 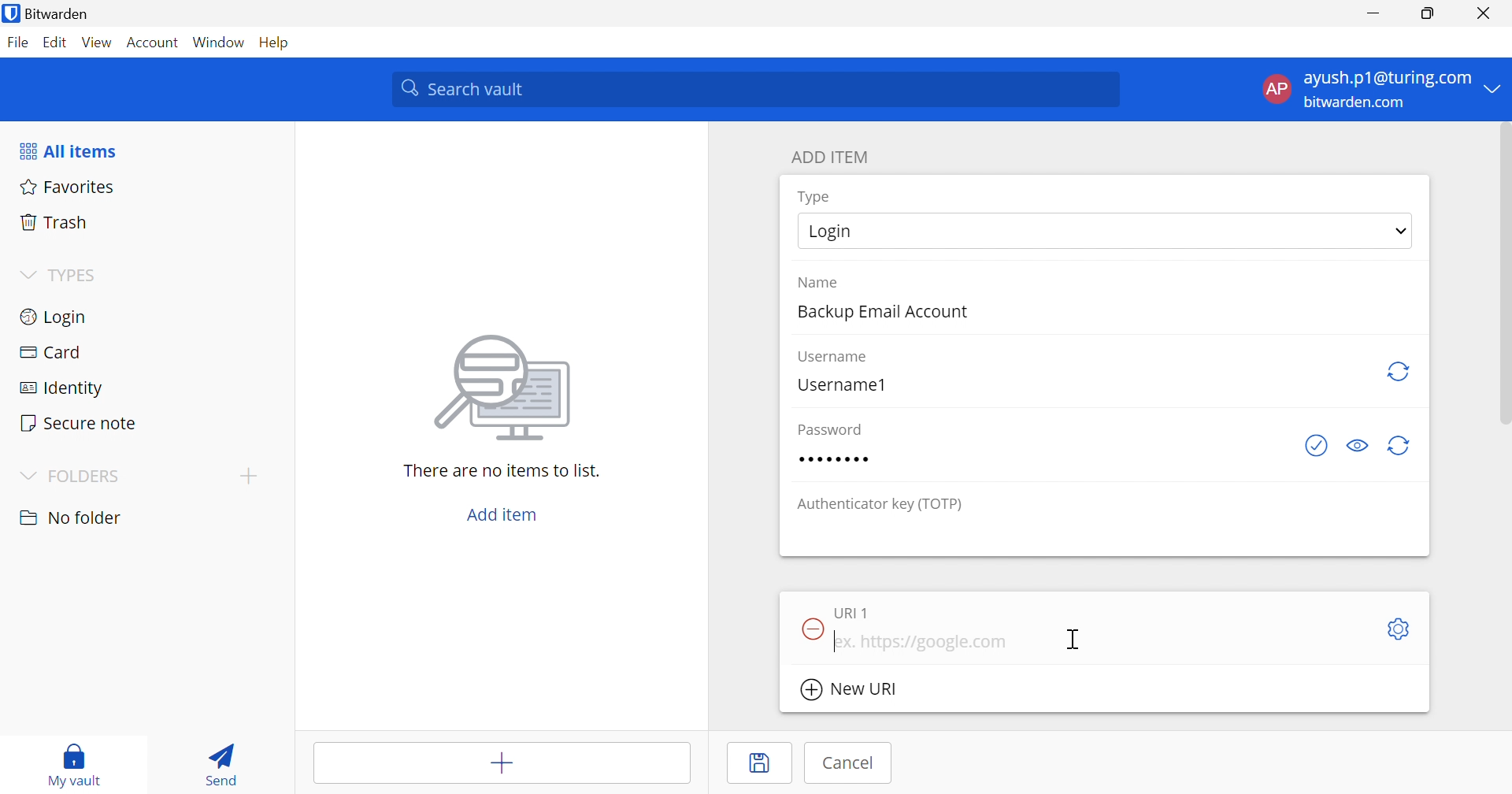 What do you see at coordinates (28, 275) in the screenshot?
I see `Drop Down` at bounding box center [28, 275].